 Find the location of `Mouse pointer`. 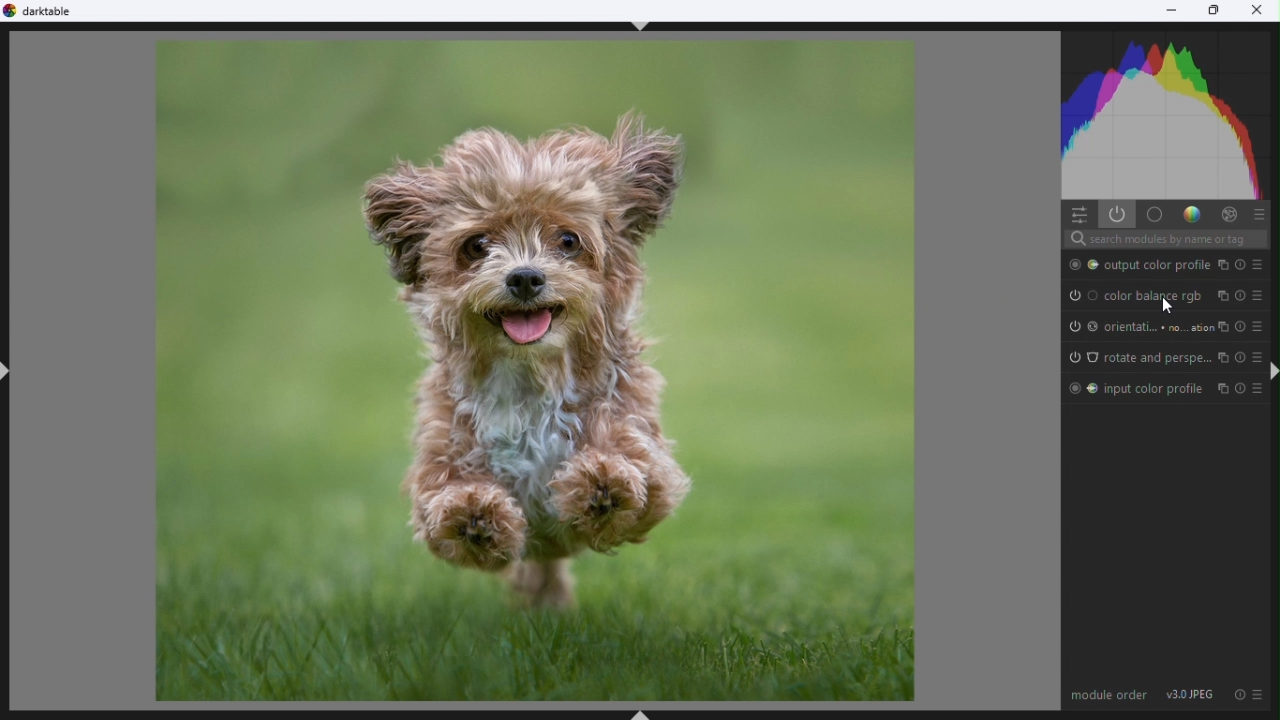

Mouse pointer is located at coordinates (1167, 306).